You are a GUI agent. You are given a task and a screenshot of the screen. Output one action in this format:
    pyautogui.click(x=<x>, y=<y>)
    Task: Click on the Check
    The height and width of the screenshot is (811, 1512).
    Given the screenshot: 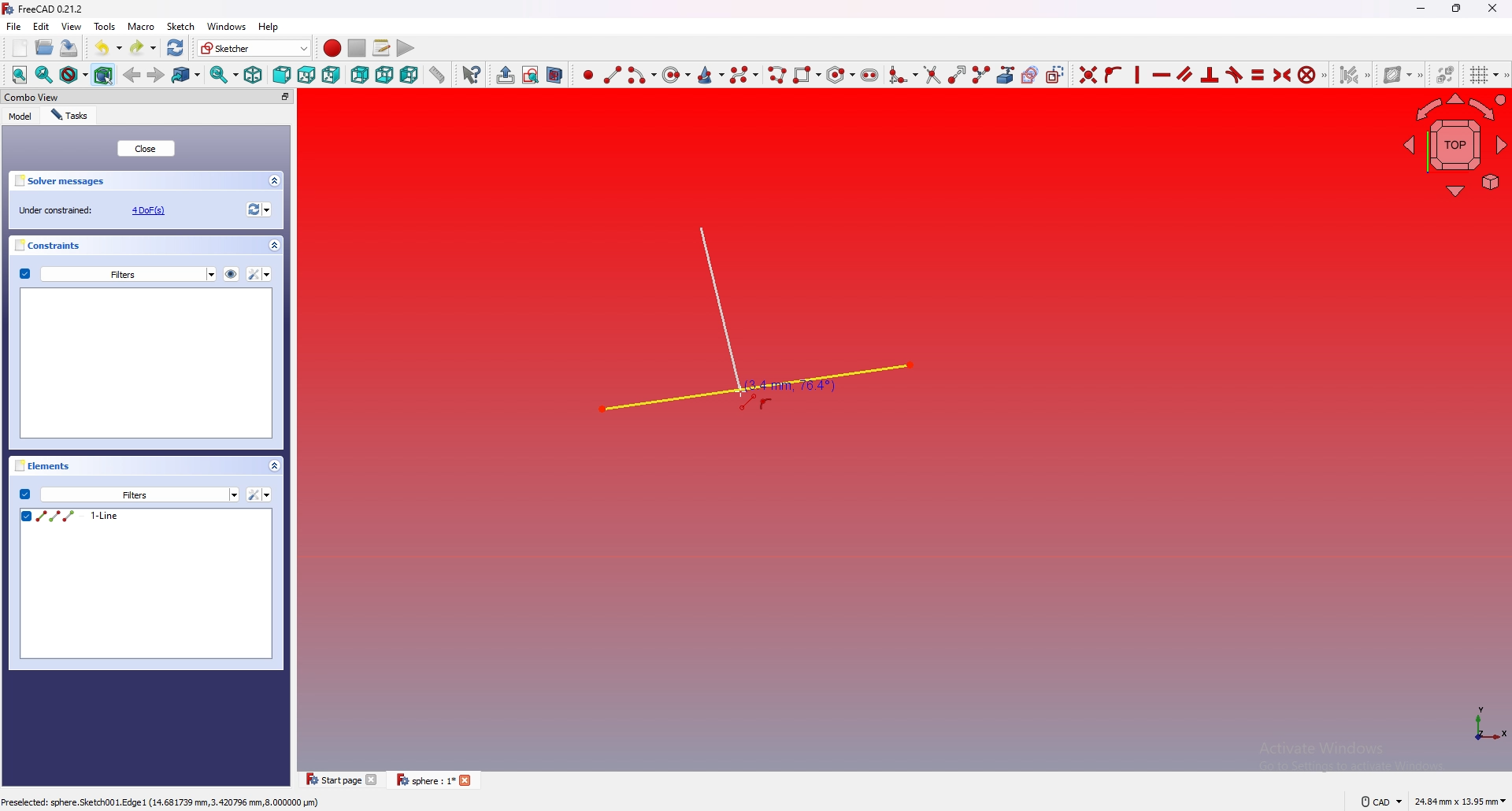 What is the action you would take?
    pyautogui.click(x=24, y=274)
    